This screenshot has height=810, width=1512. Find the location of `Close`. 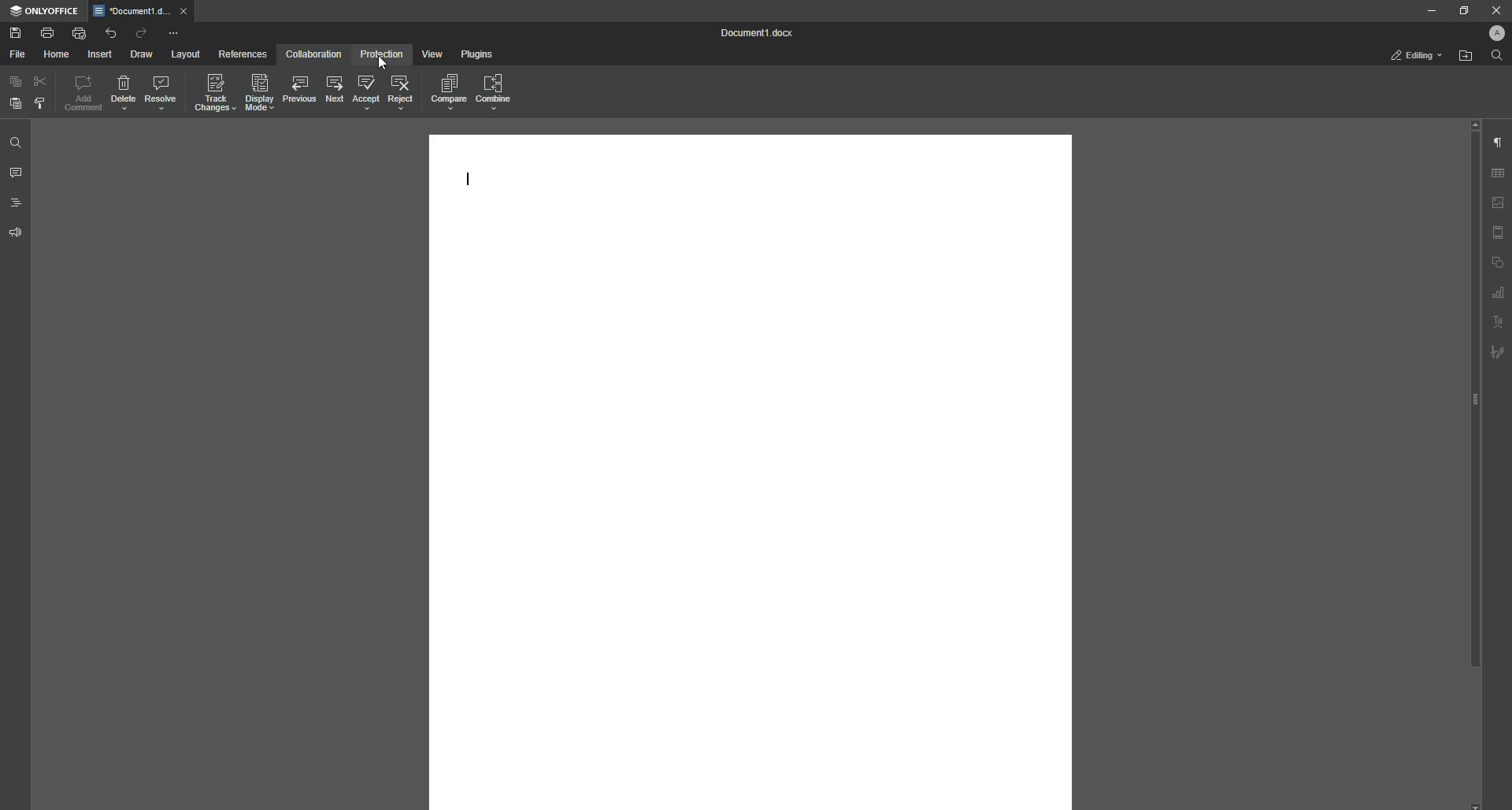

Close is located at coordinates (1494, 10).